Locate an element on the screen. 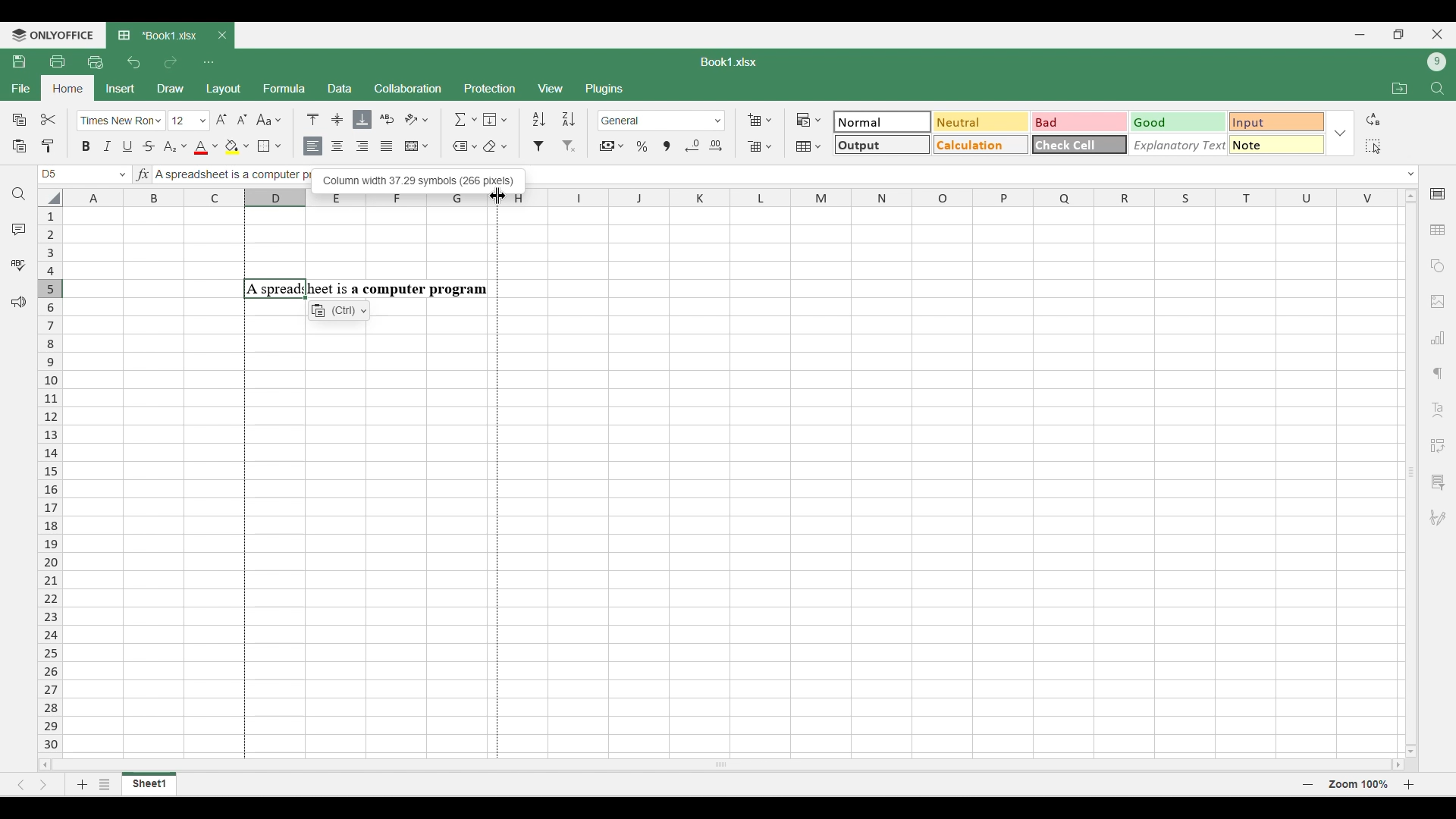 This screenshot has height=819, width=1456. Collaboration menu is located at coordinates (409, 88).